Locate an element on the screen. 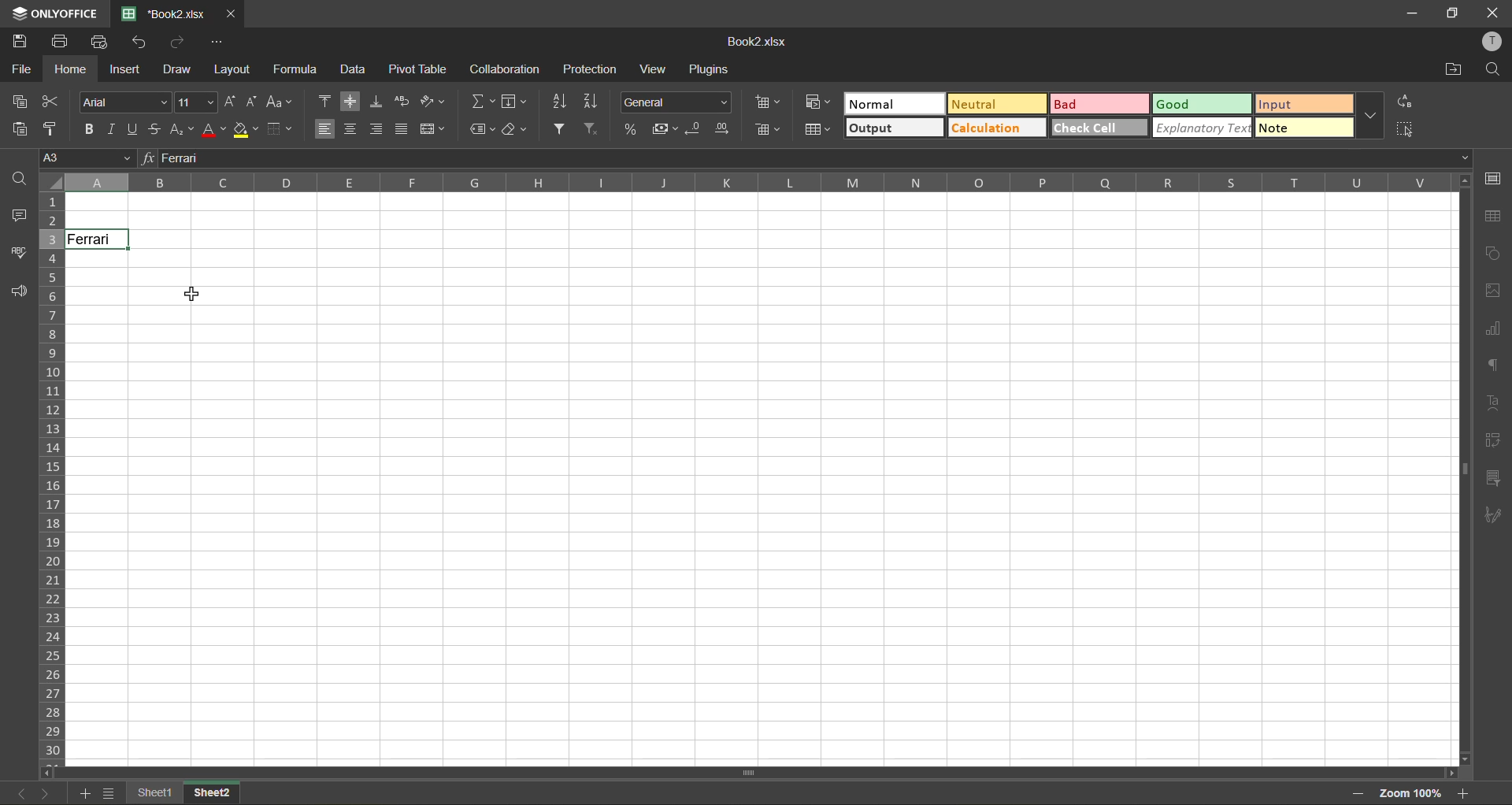 This screenshot has width=1512, height=805. calculation is located at coordinates (996, 128).